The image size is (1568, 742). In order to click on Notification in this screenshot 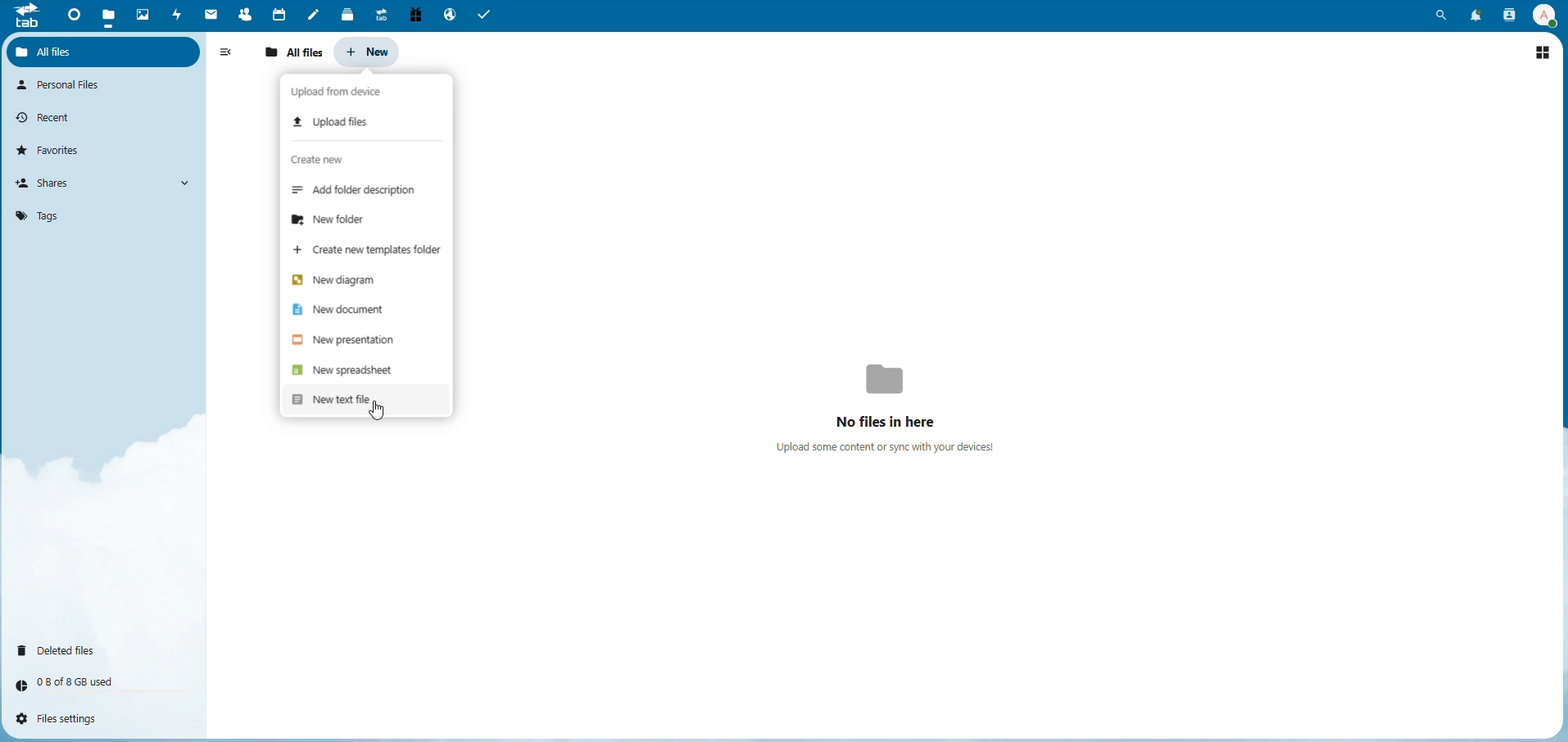, I will do `click(1473, 15)`.